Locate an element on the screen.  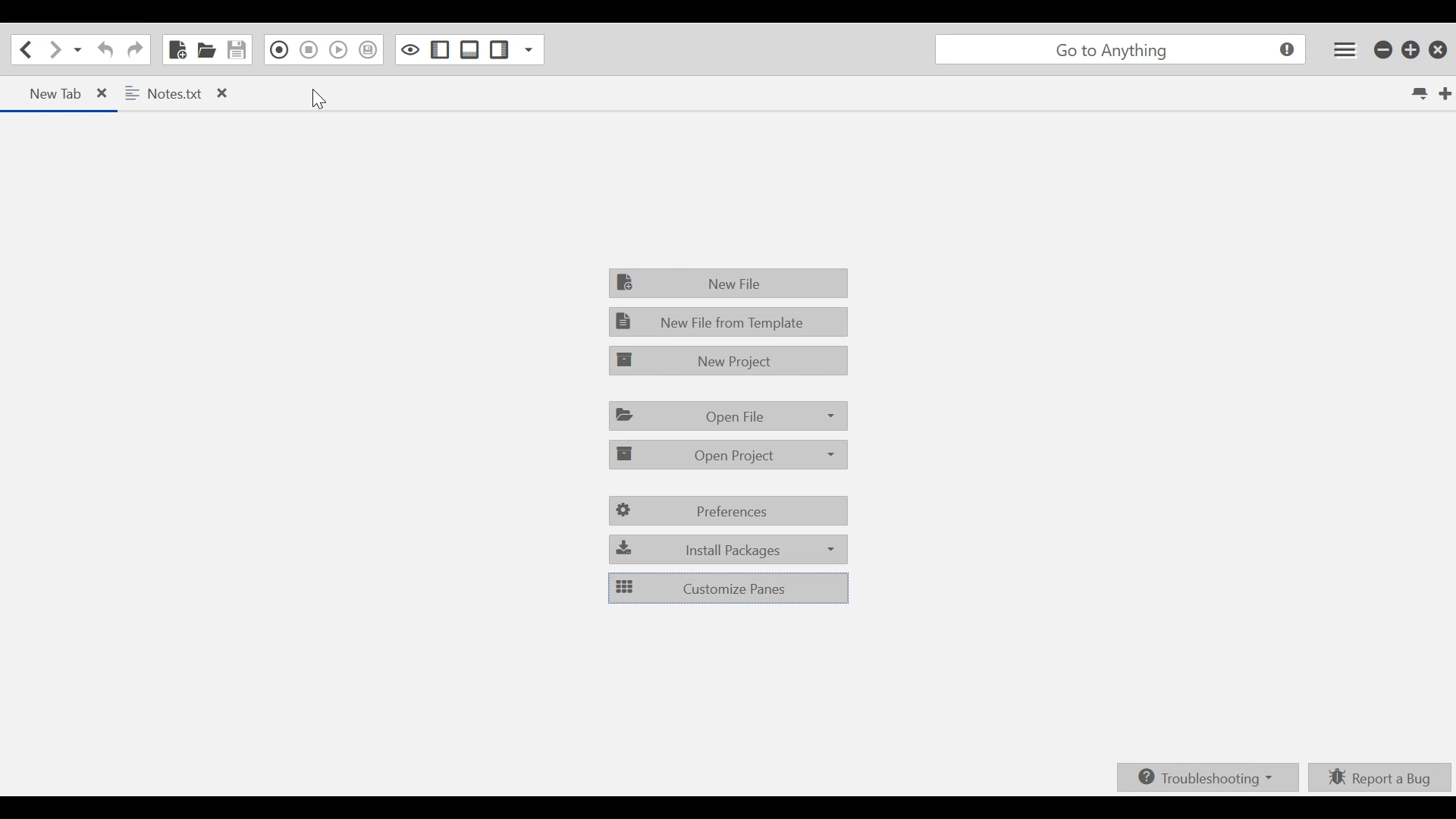
Redo last Action is located at coordinates (135, 49).